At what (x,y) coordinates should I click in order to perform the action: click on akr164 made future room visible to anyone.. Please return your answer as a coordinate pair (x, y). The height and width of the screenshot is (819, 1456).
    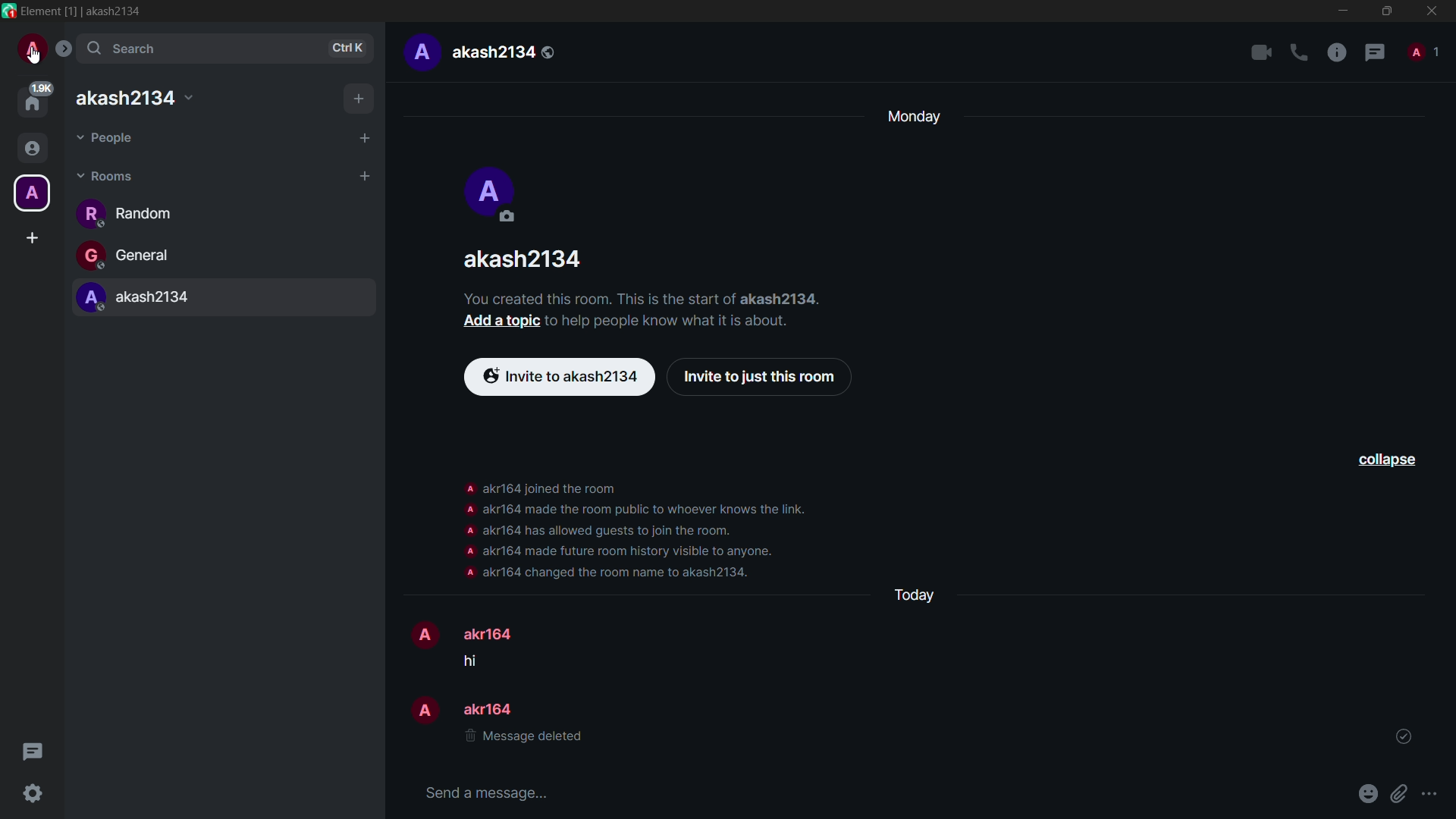
    Looking at the image, I should click on (630, 551).